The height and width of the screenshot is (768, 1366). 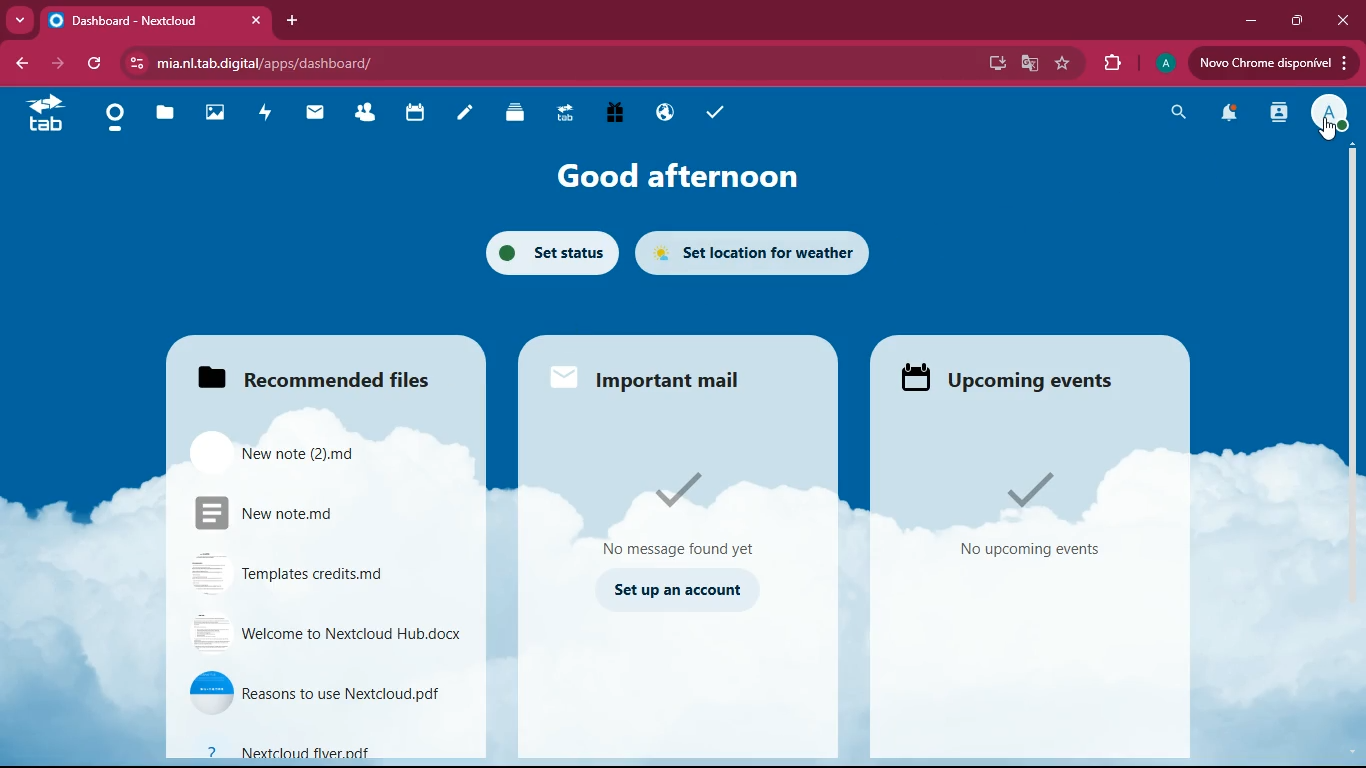 What do you see at coordinates (1168, 62) in the screenshot?
I see `profile` at bounding box center [1168, 62].